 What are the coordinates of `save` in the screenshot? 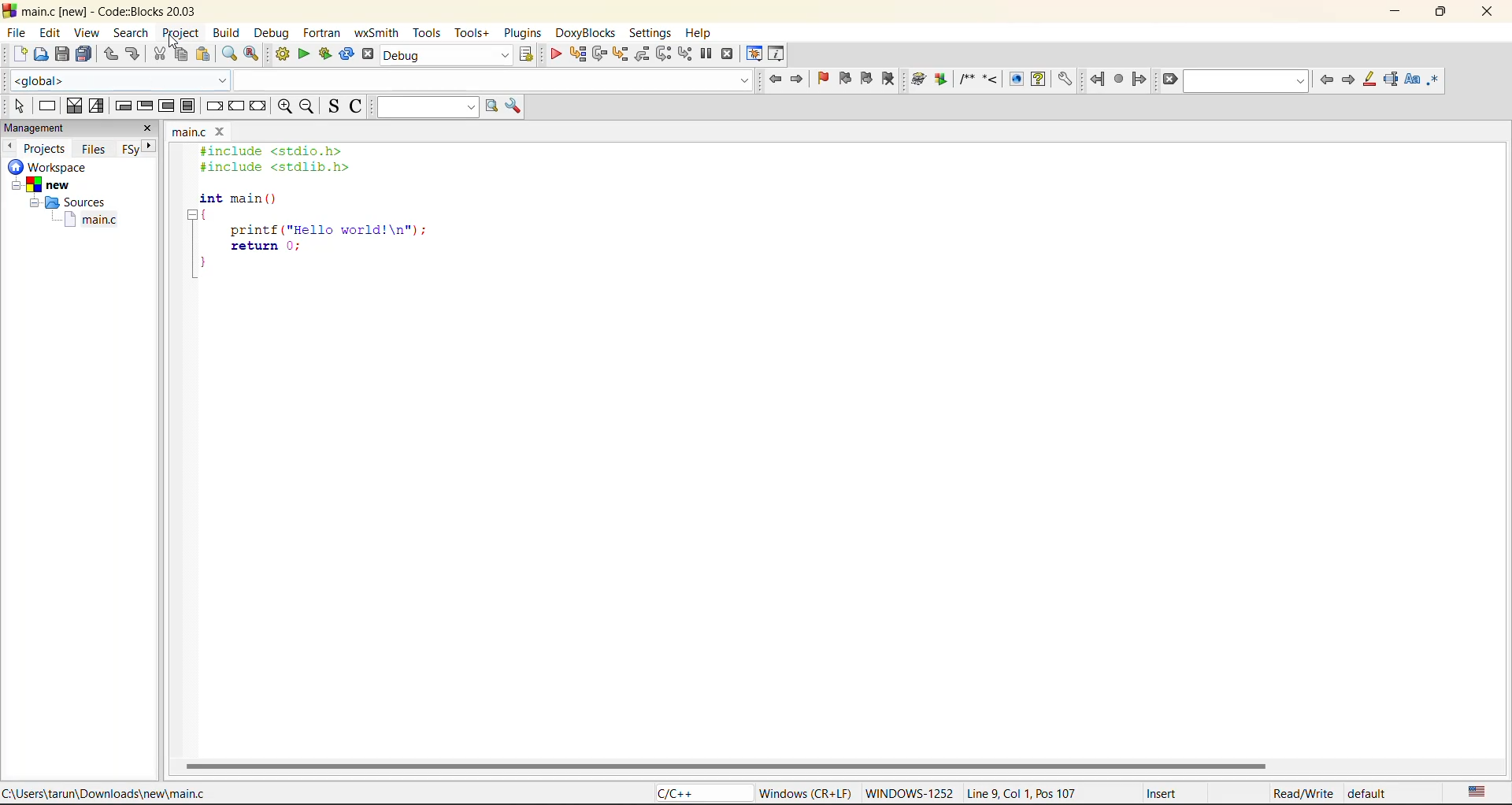 It's located at (61, 54).